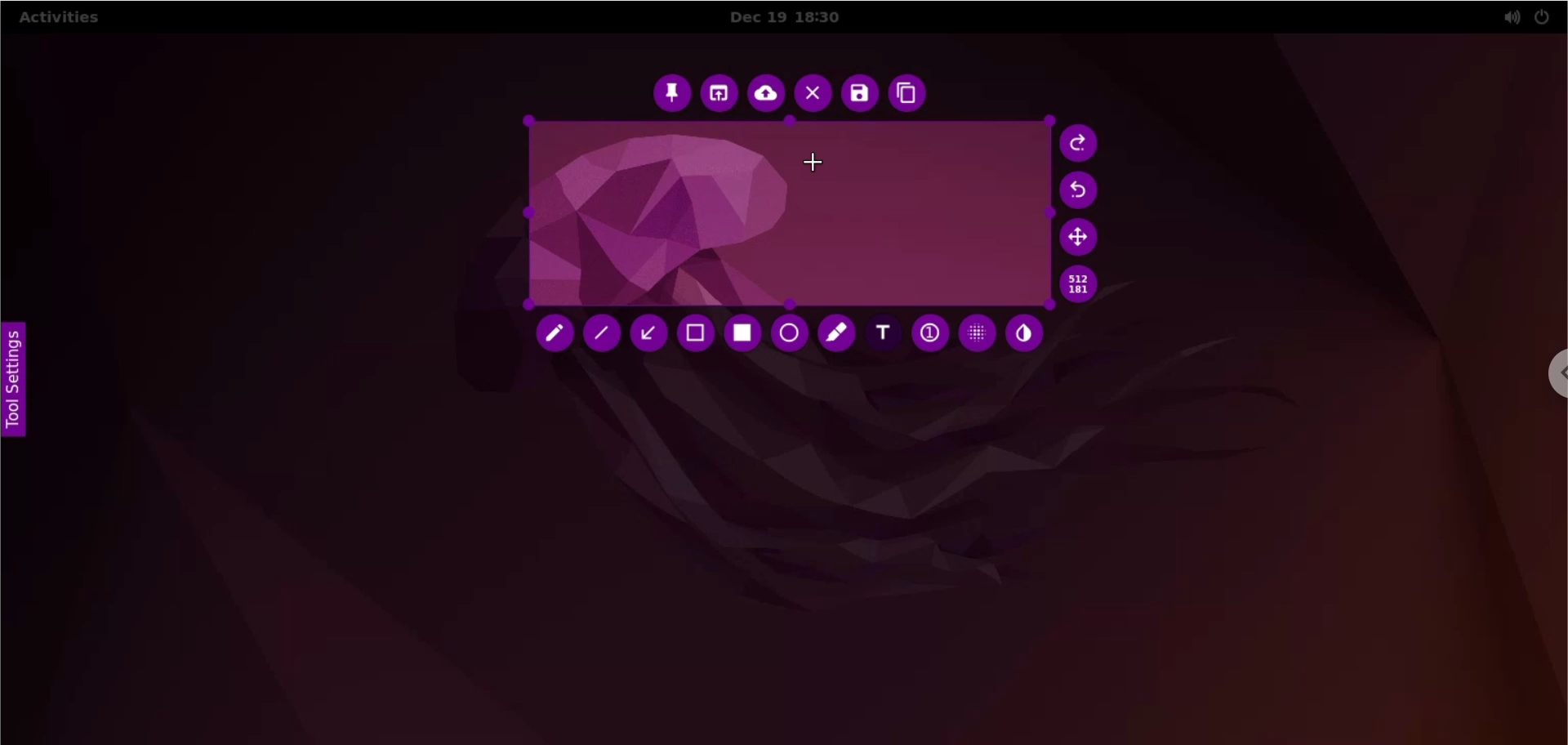  I want to click on auto increment value, so click(929, 330).